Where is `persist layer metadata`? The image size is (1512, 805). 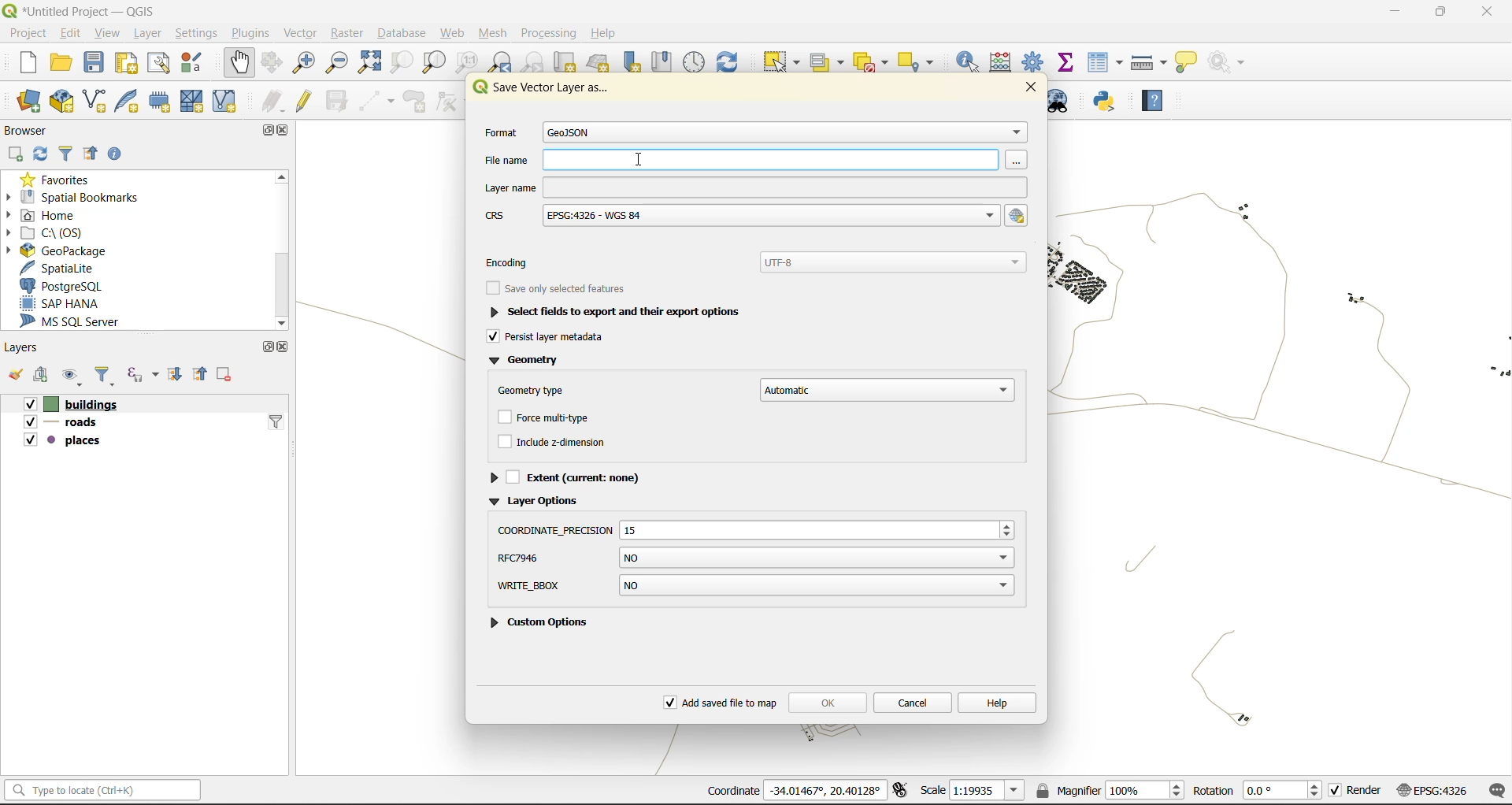 persist layer metadata is located at coordinates (556, 338).